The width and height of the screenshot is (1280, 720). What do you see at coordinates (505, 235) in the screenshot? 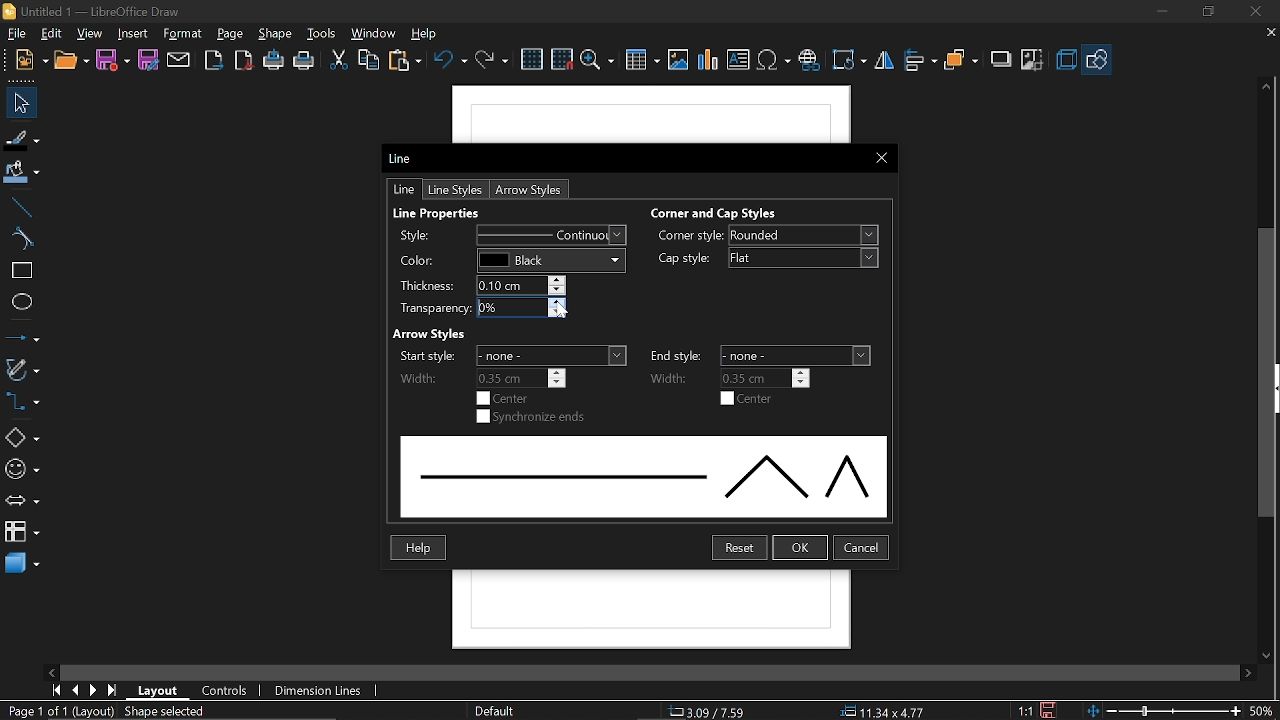
I see `Style` at bounding box center [505, 235].